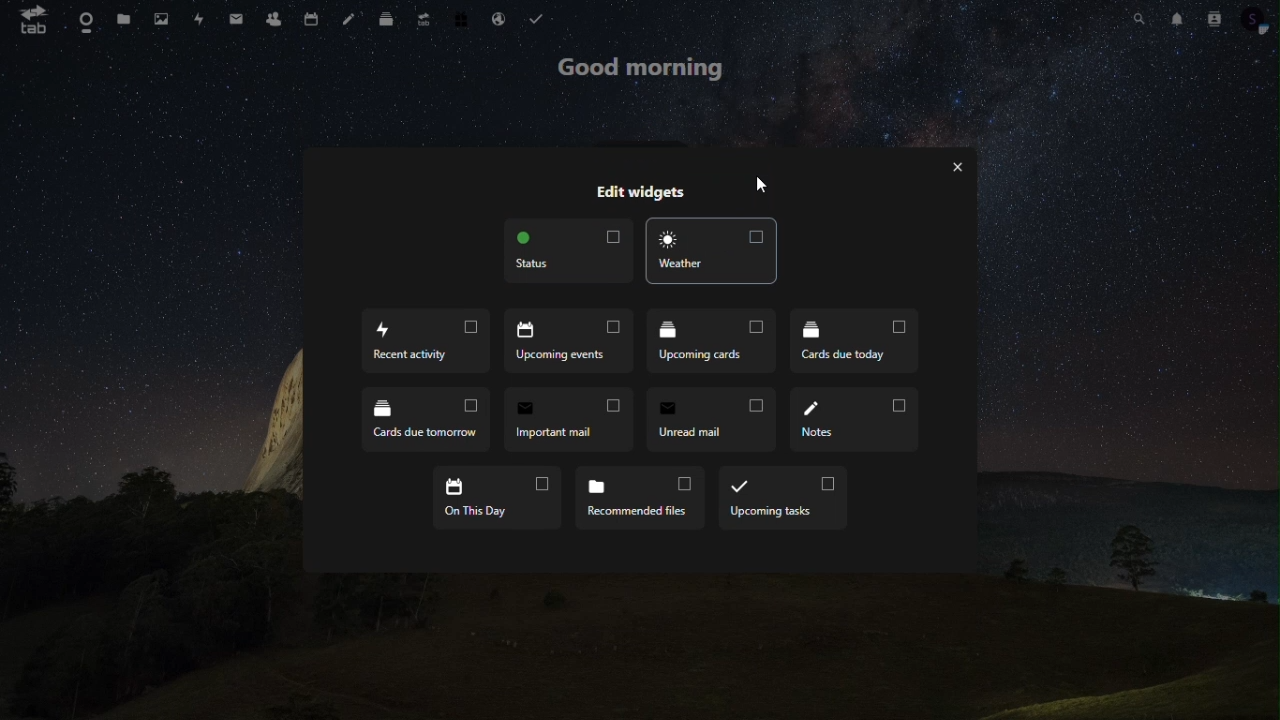 The image size is (1280, 720). I want to click on unread  mail, so click(713, 418).